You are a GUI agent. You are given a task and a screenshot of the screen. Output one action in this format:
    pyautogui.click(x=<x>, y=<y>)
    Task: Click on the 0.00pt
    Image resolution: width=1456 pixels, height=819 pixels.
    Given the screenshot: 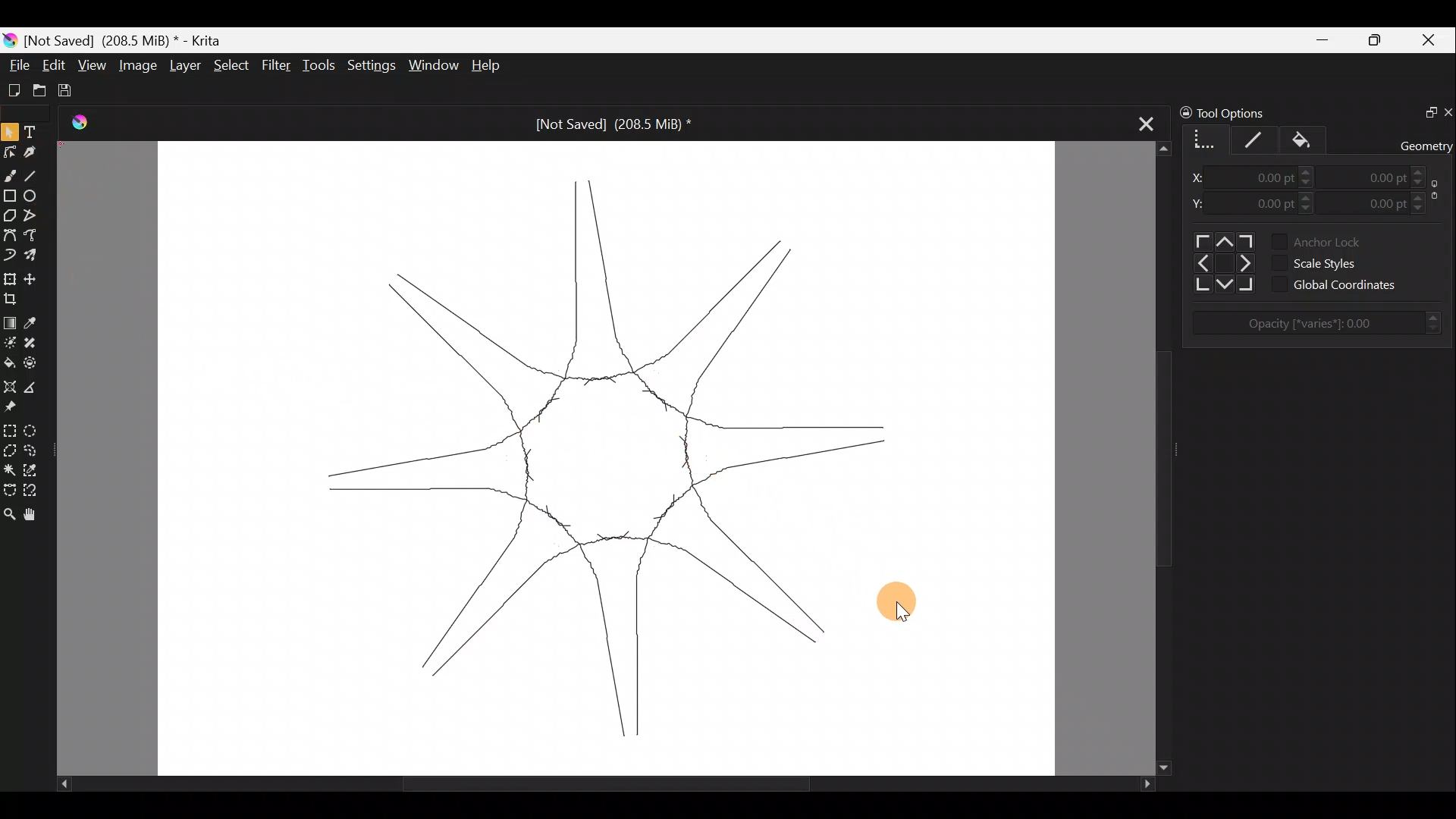 What is the action you would take?
    pyautogui.click(x=1266, y=178)
    